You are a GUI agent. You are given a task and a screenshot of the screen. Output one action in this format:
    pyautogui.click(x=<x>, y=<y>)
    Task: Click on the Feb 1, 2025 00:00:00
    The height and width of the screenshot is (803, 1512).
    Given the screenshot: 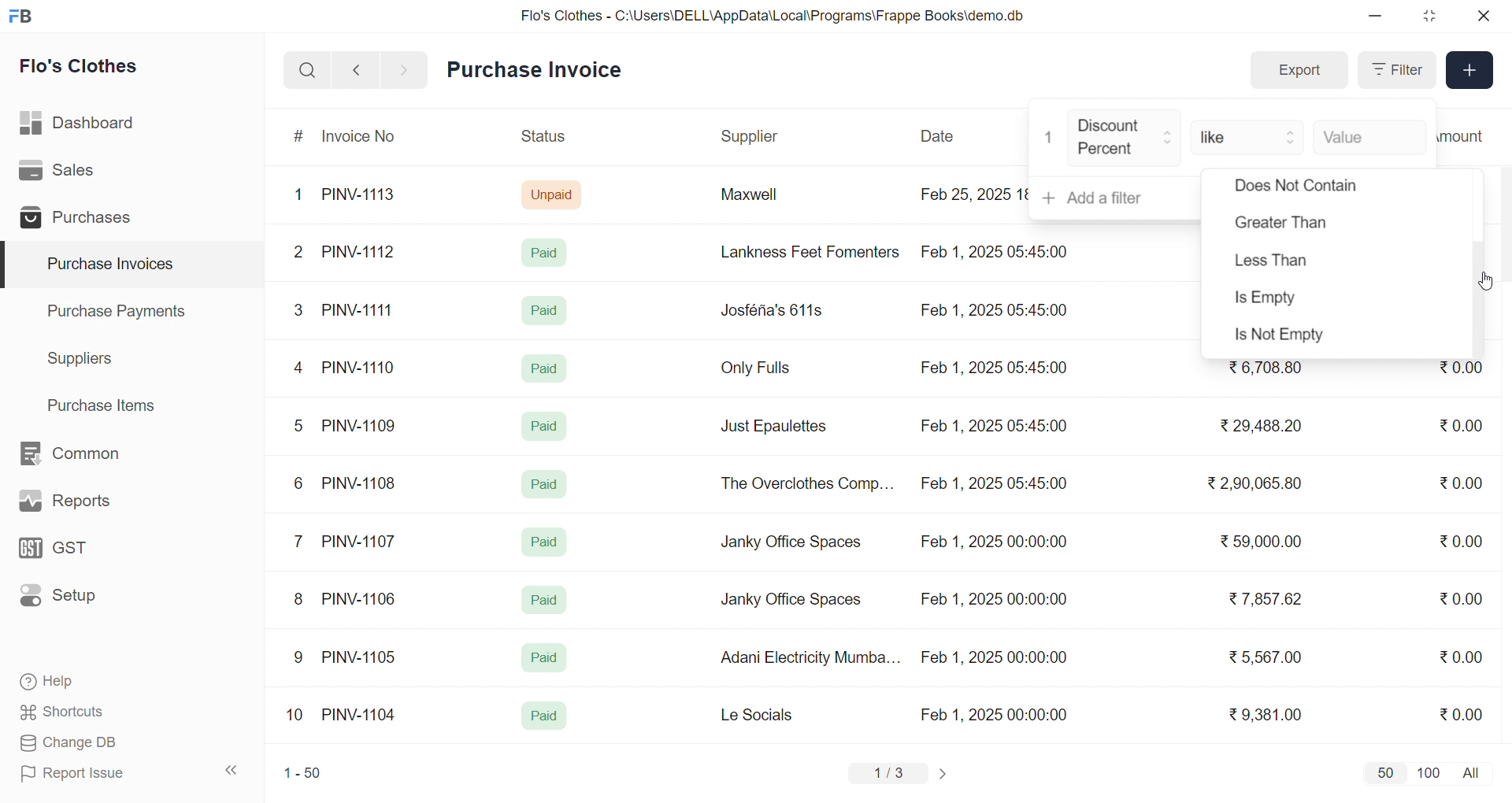 What is the action you would take?
    pyautogui.click(x=994, y=657)
    